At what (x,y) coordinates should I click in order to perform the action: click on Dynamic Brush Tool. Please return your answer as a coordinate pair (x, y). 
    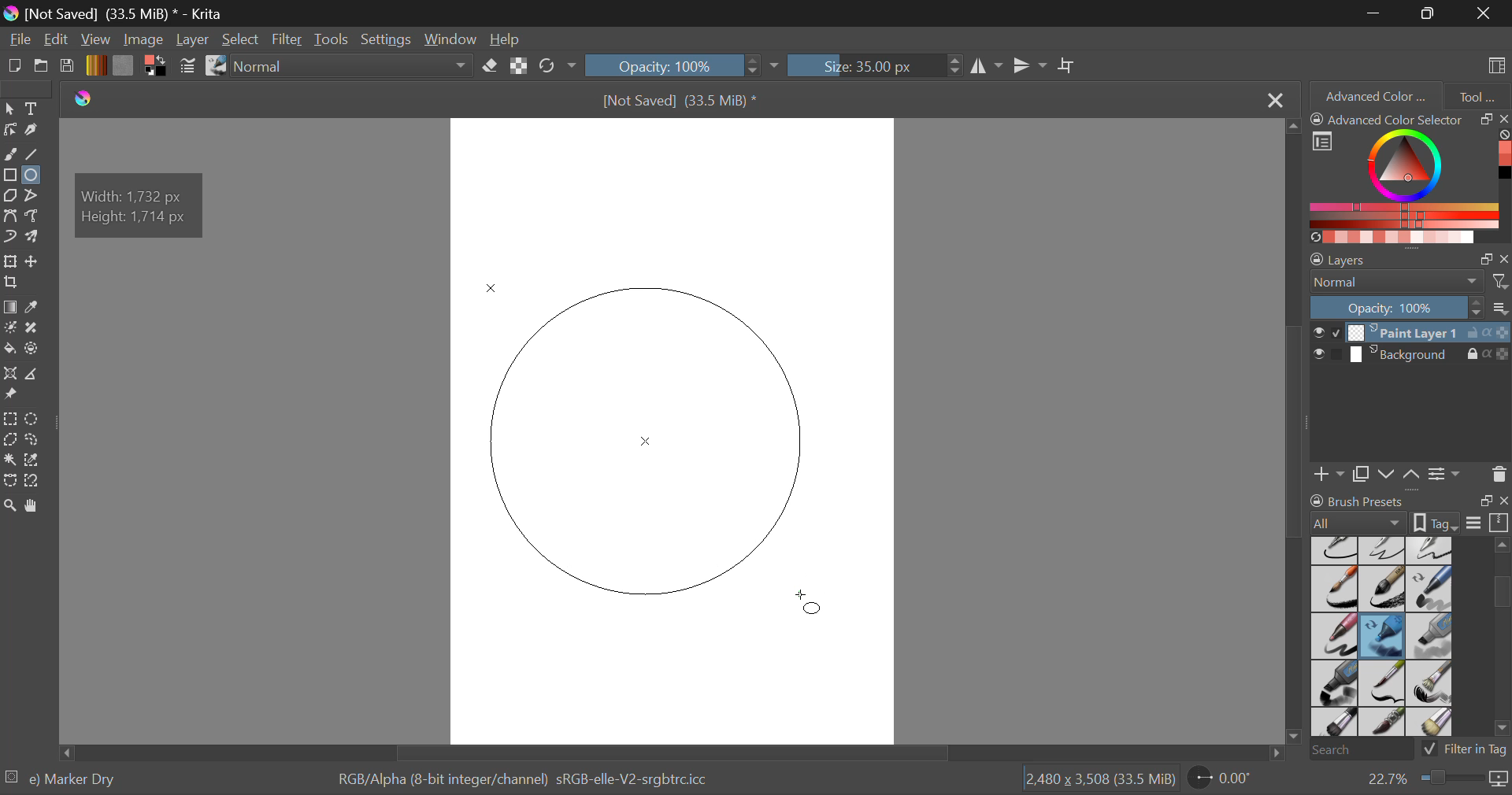
    Looking at the image, I should click on (9, 238).